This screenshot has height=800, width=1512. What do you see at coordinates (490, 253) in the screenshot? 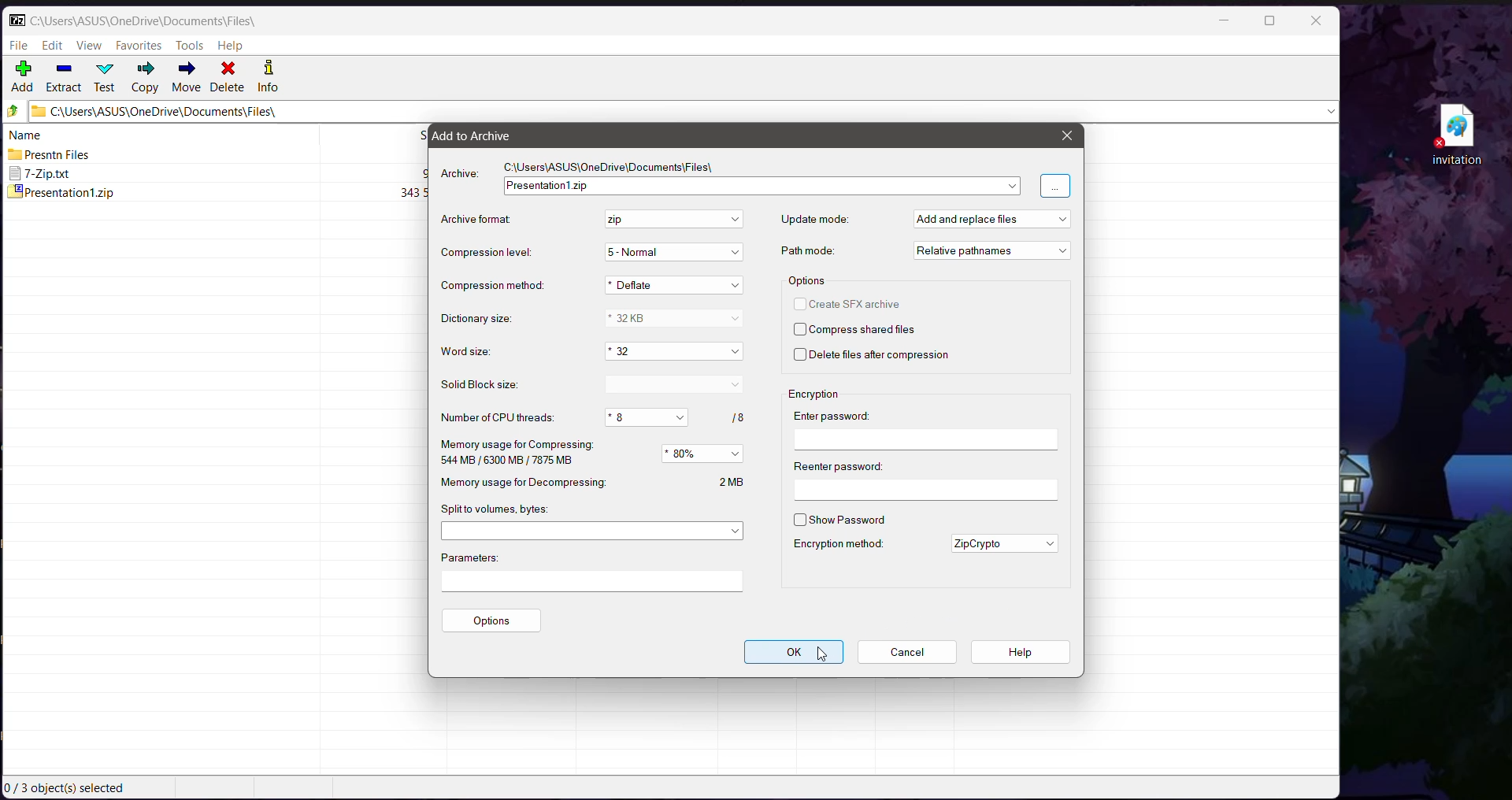
I see `Compression Level` at bounding box center [490, 253].